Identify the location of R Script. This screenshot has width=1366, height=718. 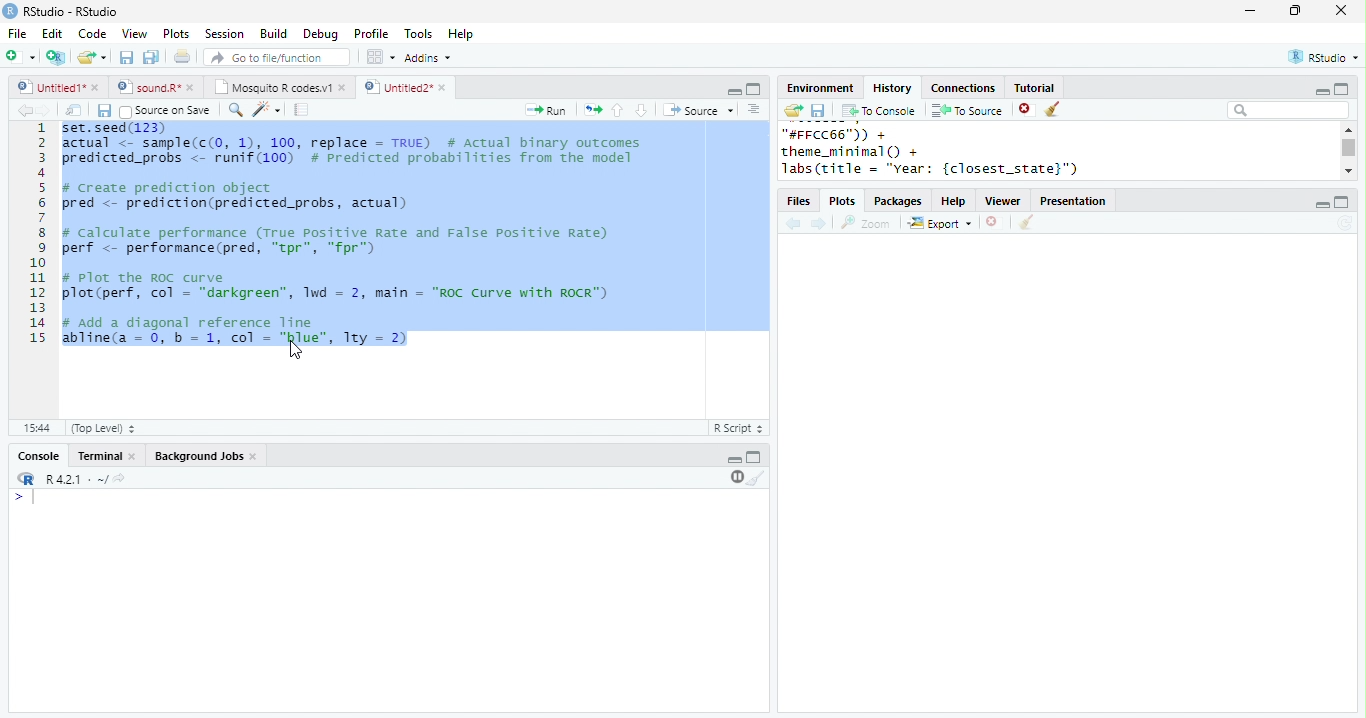
(739, 427).